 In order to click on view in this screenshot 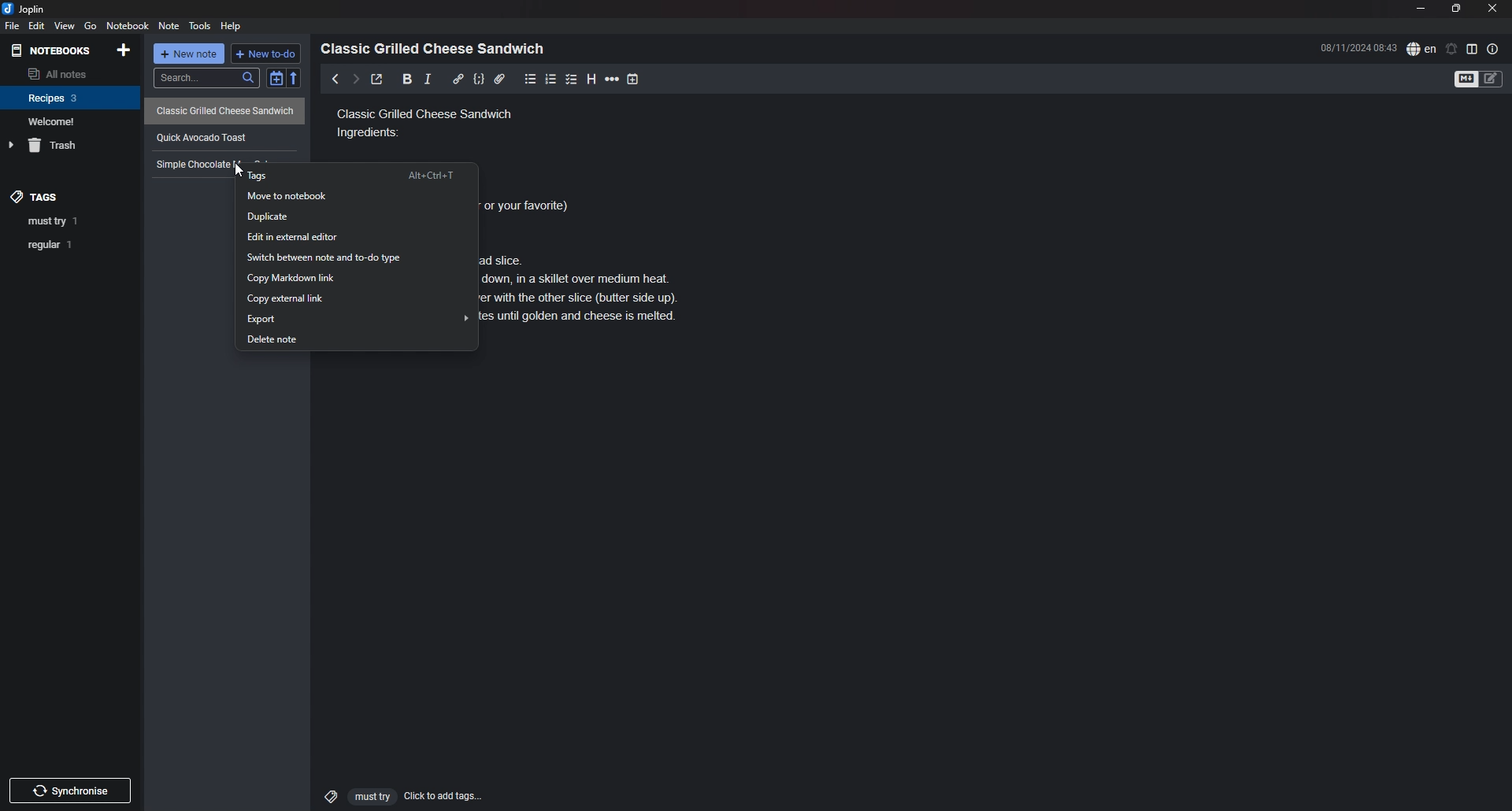, I will do `click(64, 26)`.